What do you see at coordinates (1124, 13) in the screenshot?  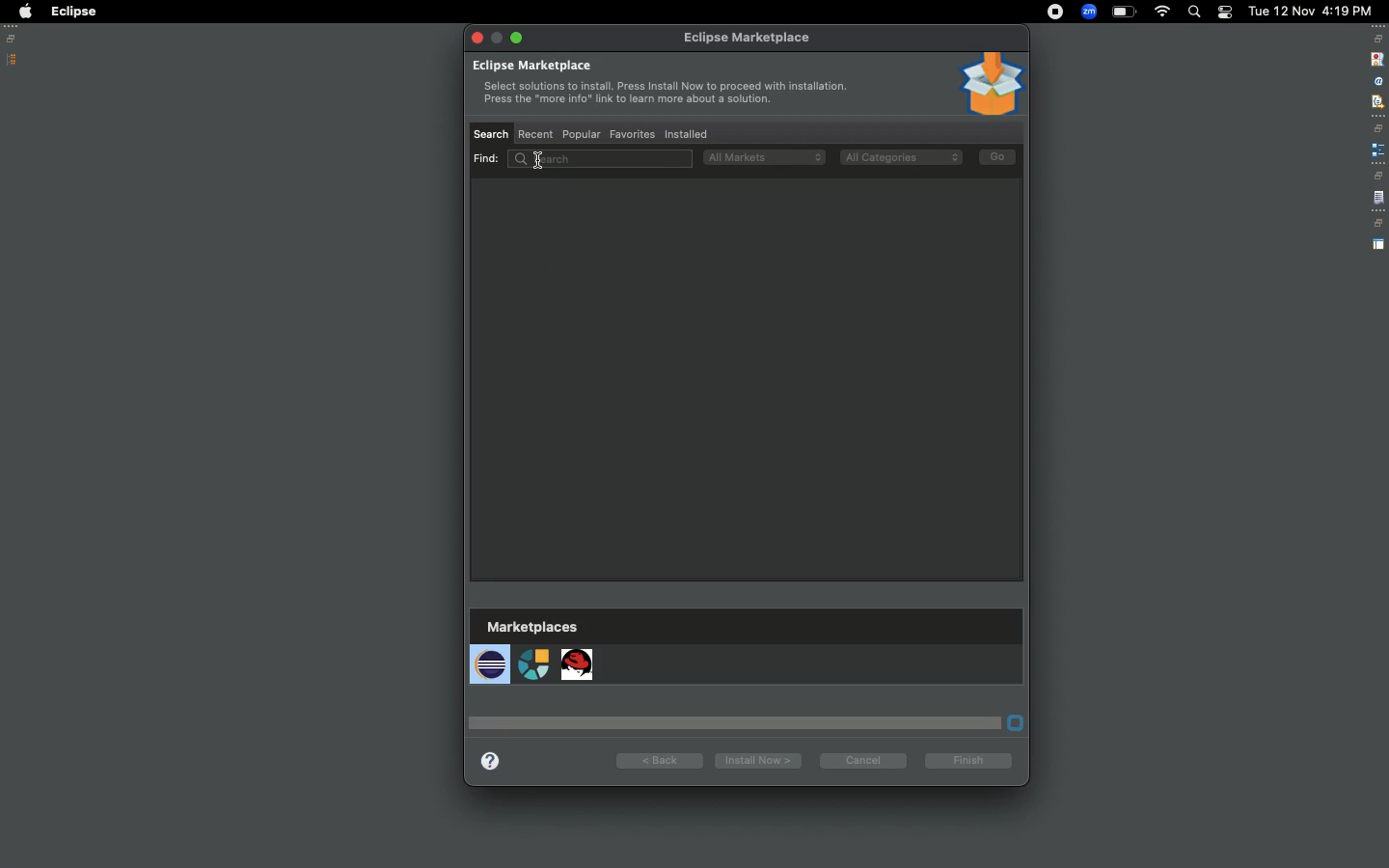 I see `Charge` at bounding box center [1124, 13].